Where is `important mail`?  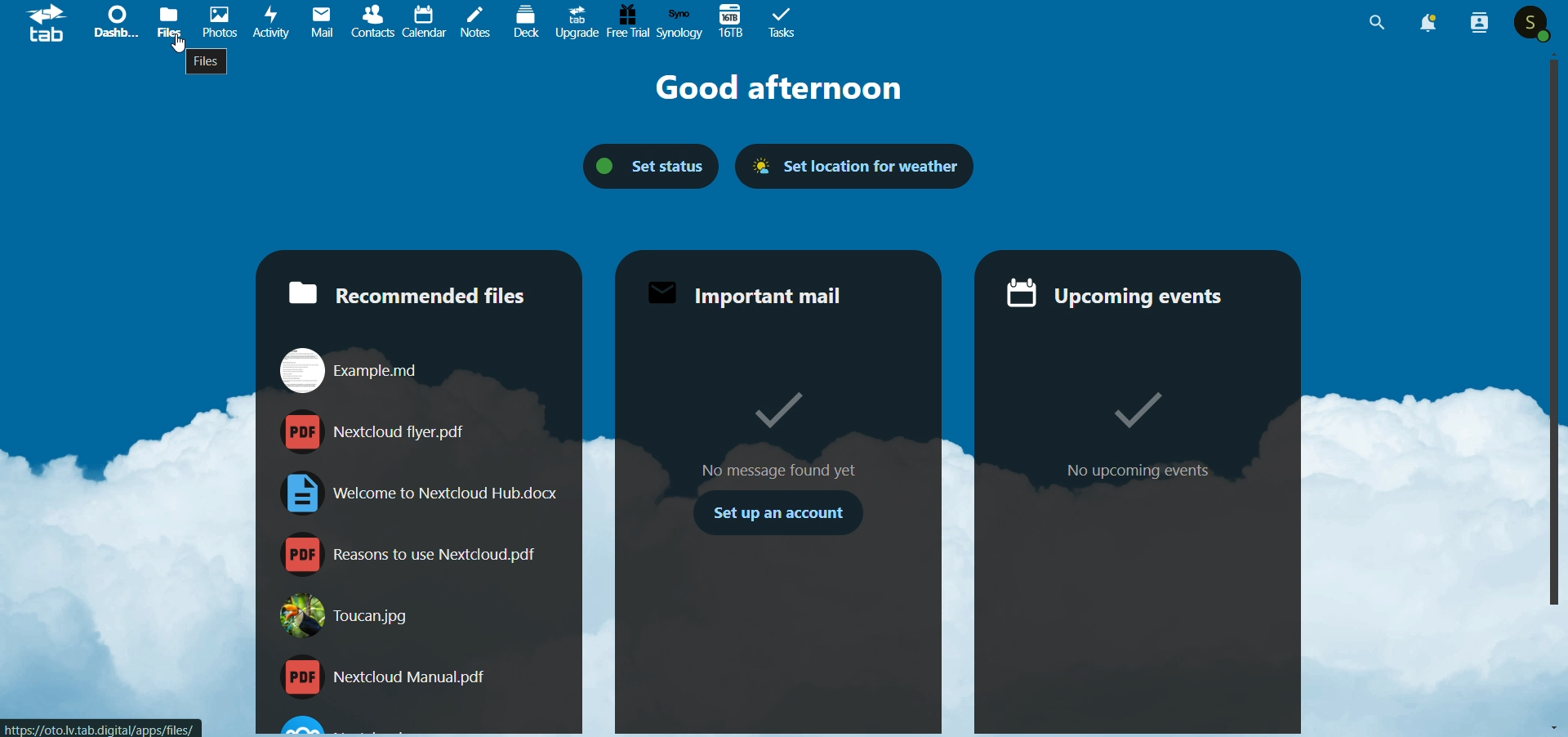 important mail is located at coordinates (758, 287).